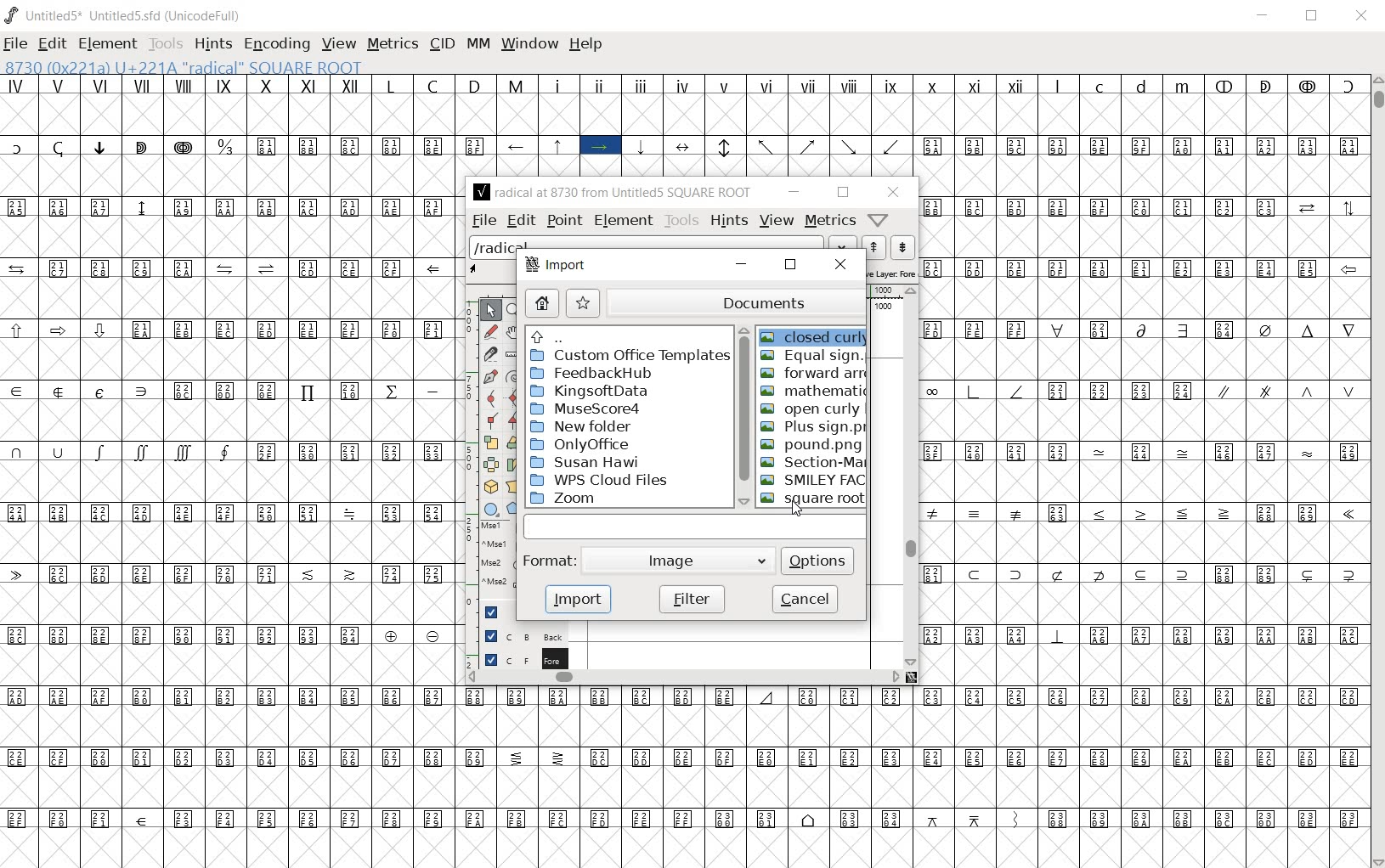 This screenshot has width=1385, height=868. What do you see at coordinates (108, 45) in the screenshot?
I see `ELEMENT` at bounding box center [108, 45].